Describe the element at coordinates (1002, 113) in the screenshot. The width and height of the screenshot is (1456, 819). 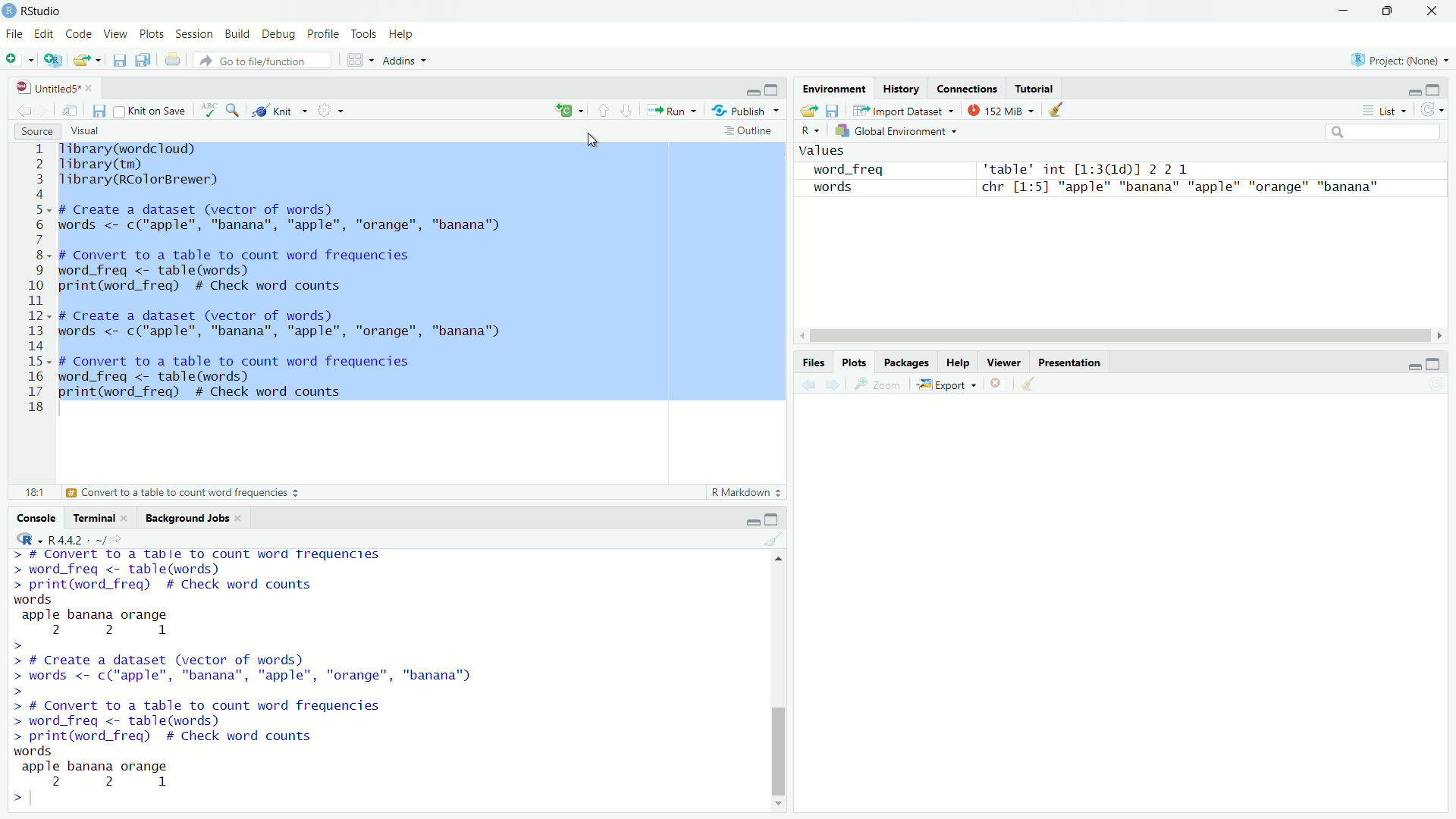
I see `145 MiB ` at that location.